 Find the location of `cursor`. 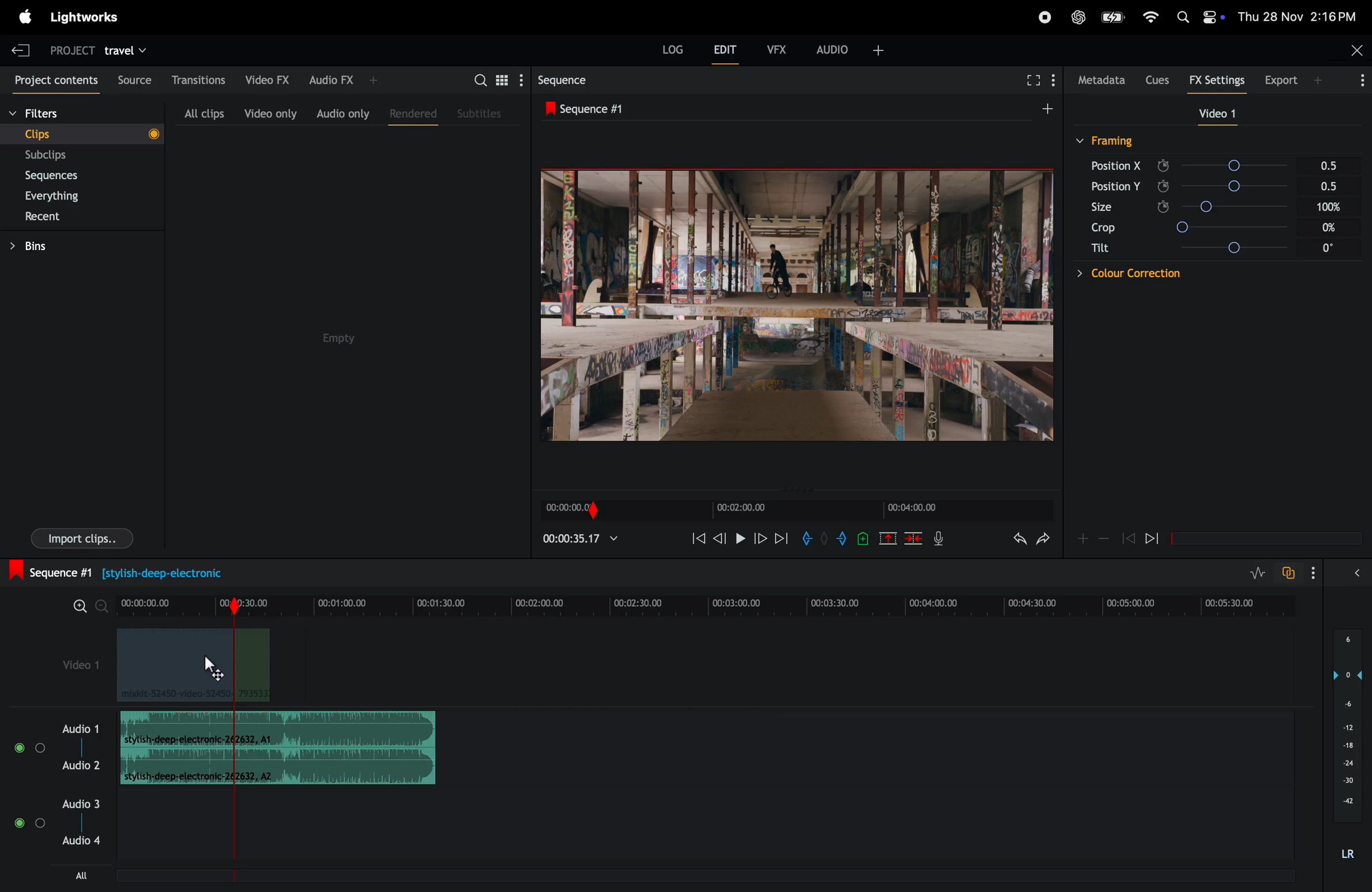

cursor is located at coordinates (218, 671).